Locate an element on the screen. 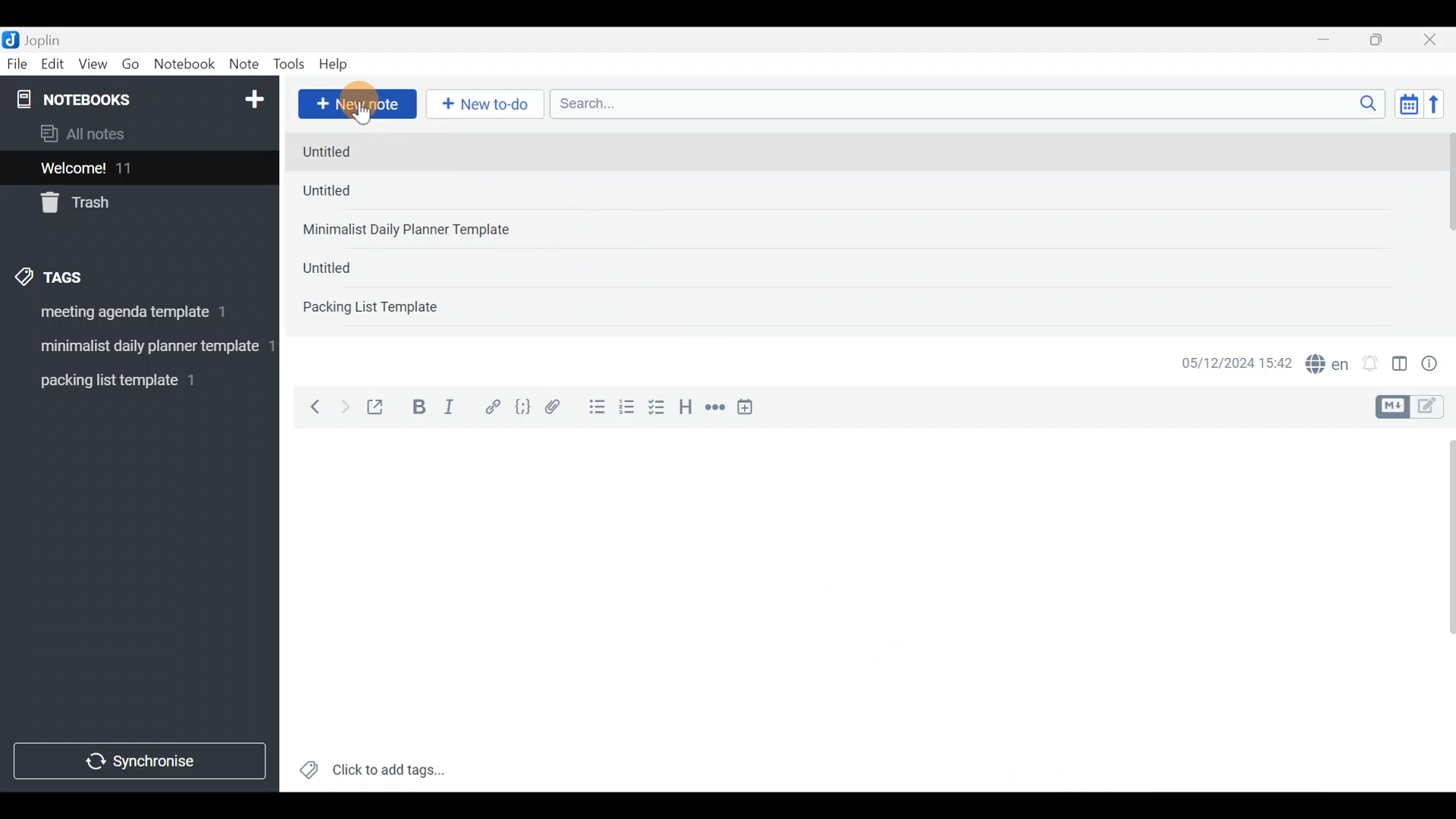 The image size is (1456, 819). Minimalist Daily Planner Template is located at coordinates (411, 230).